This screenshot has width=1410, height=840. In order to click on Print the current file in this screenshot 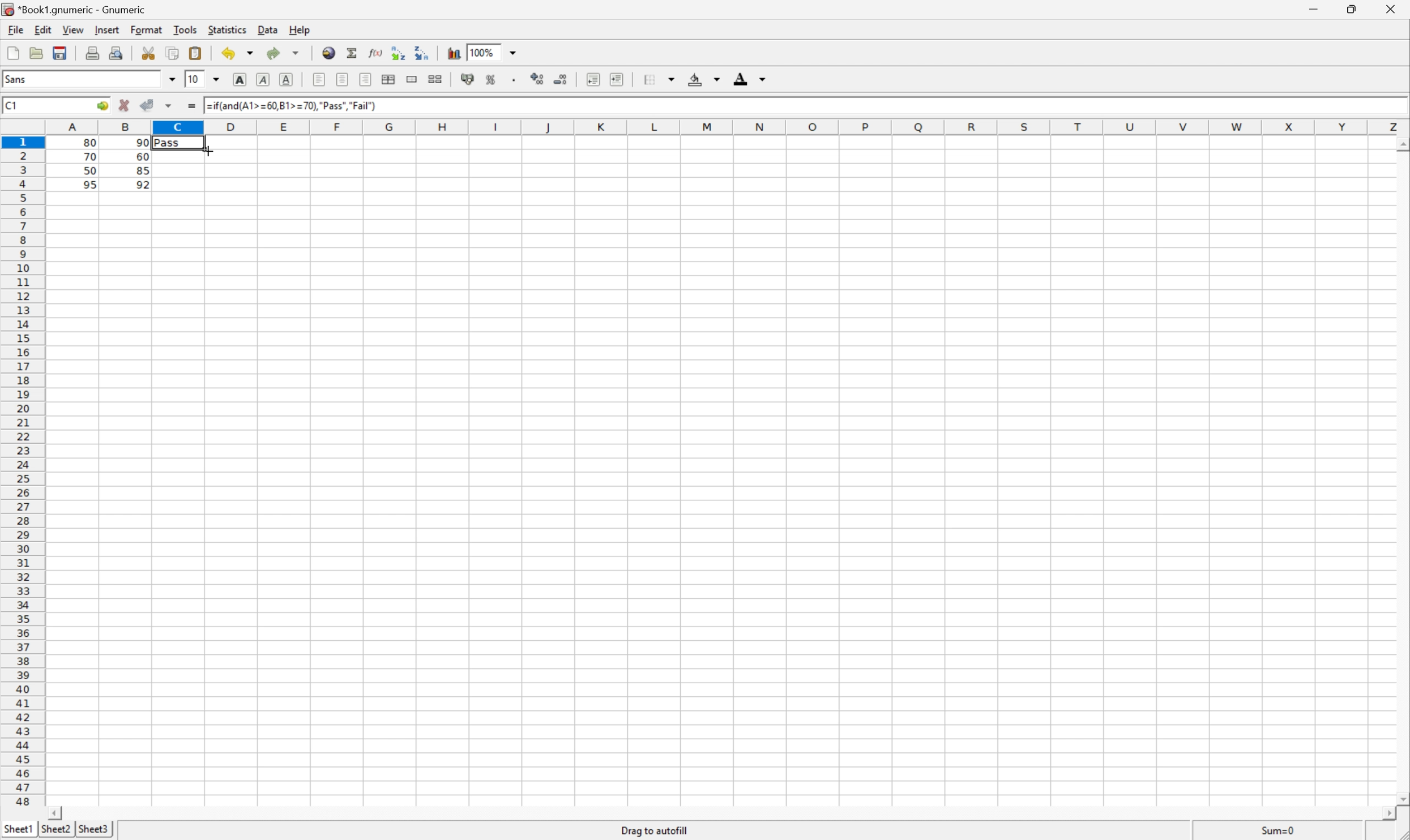, I will do `click(91, 53)`.